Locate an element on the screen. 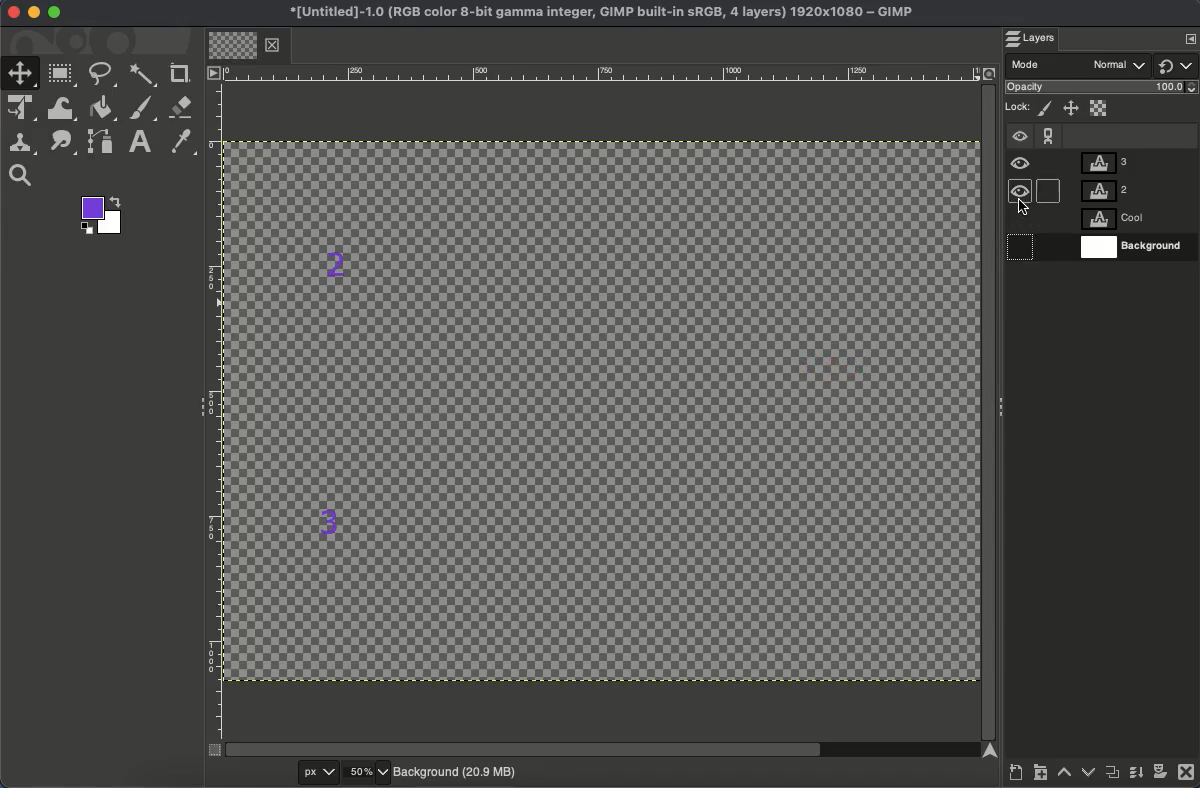 This screenshot has width=1200, height=788. Lock pixels is located at coordinates (1047, 109).